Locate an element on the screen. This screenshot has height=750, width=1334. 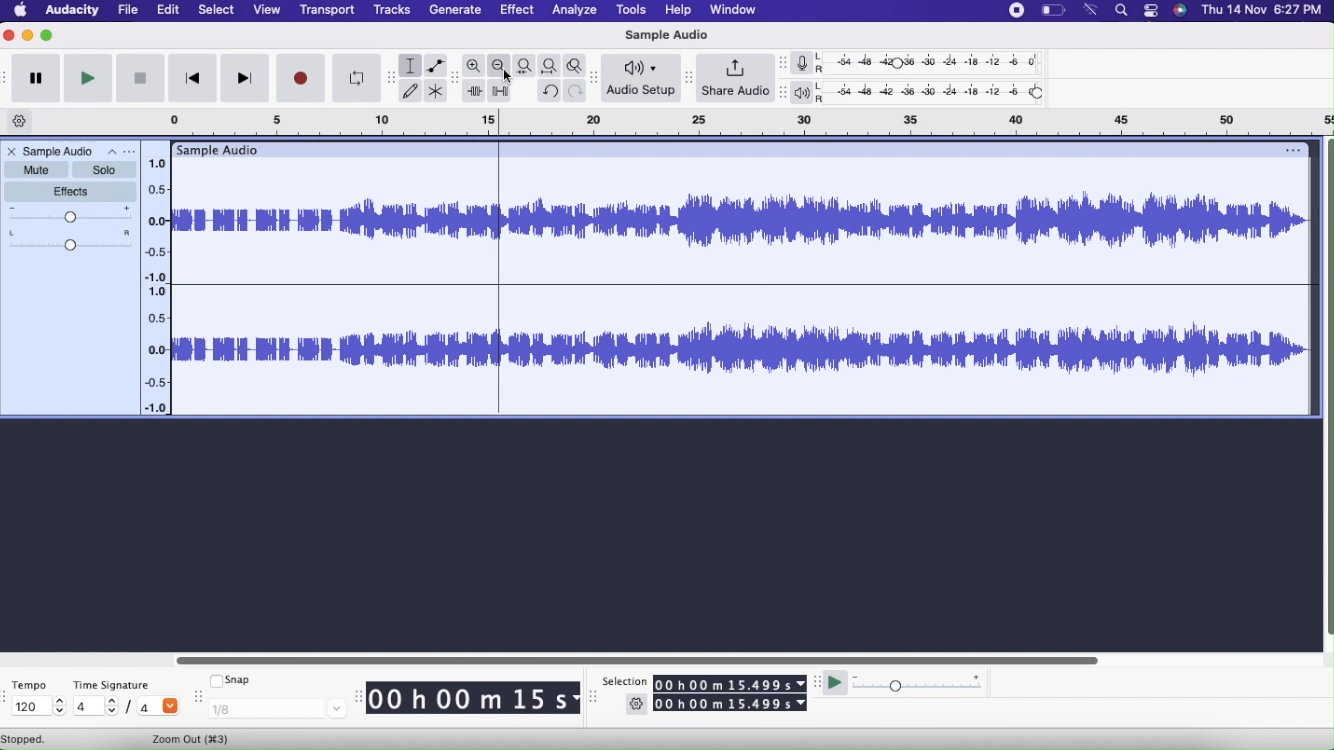
Generate is located at coordinates (455, 10).